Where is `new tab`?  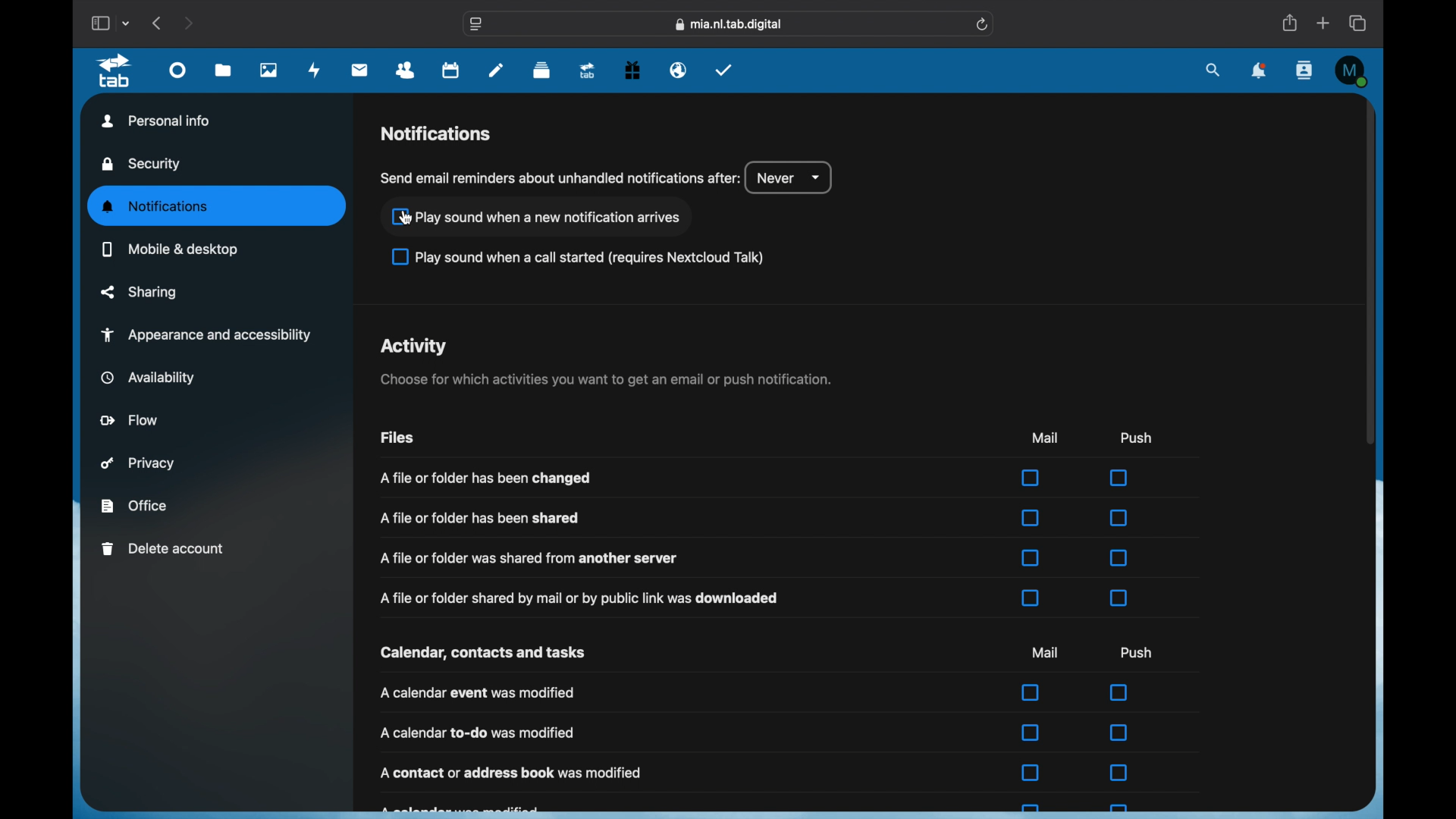 new tab is located at coordinates (1323, 23).